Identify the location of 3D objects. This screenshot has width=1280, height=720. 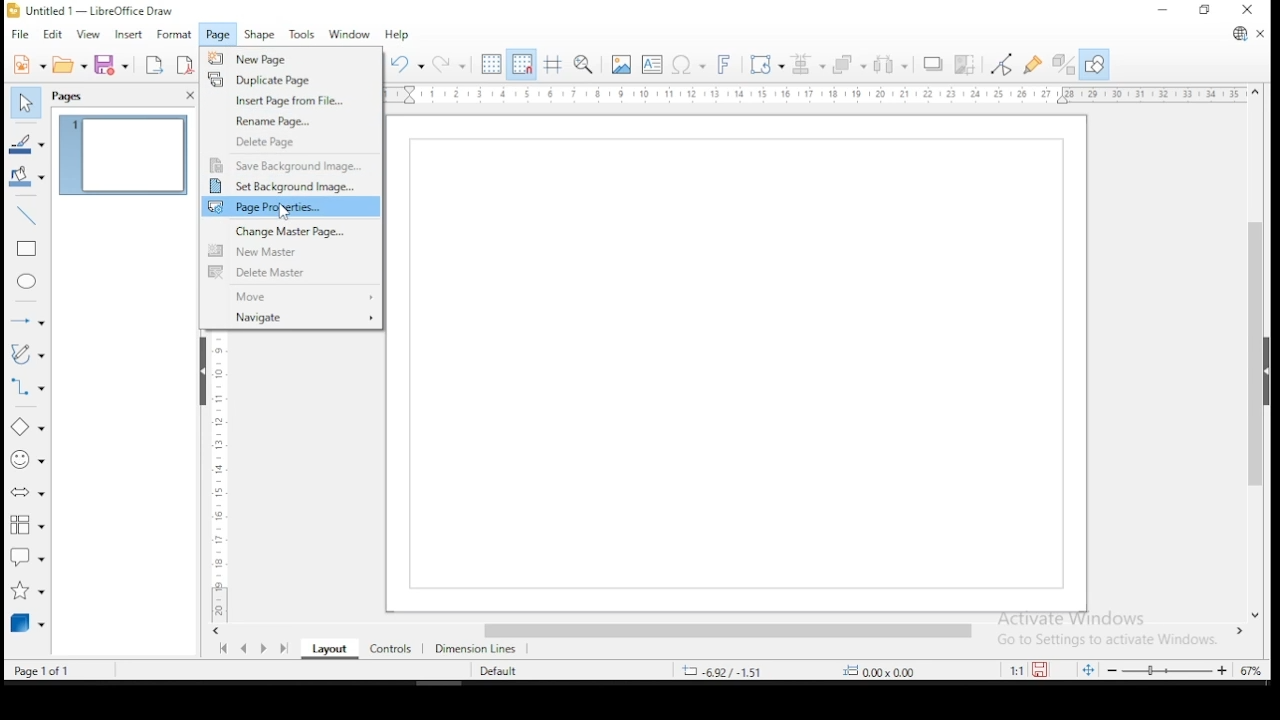
(27, 624).